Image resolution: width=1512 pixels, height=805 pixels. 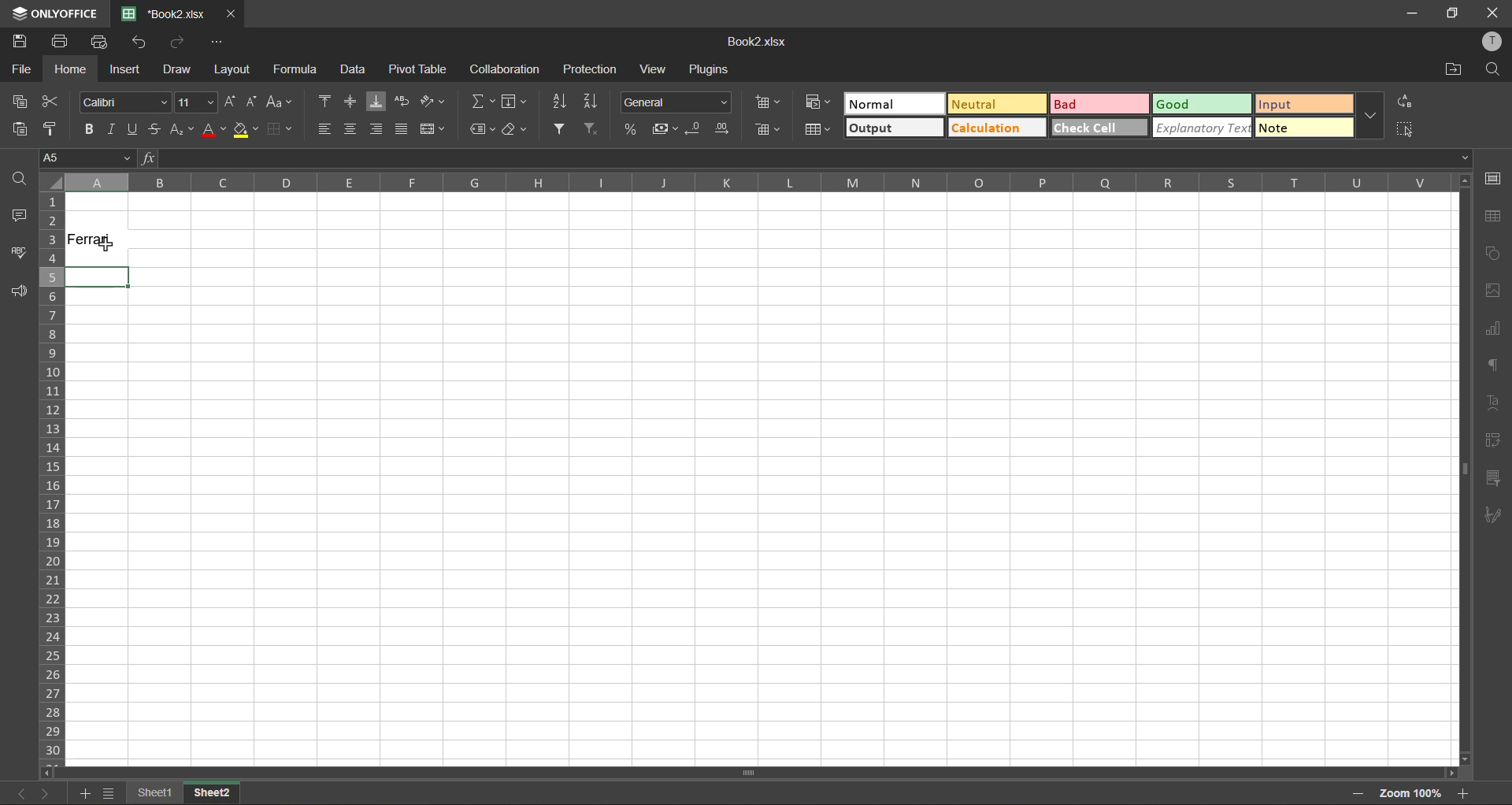 I want to click on shapes, so click(x=1492, y=252).